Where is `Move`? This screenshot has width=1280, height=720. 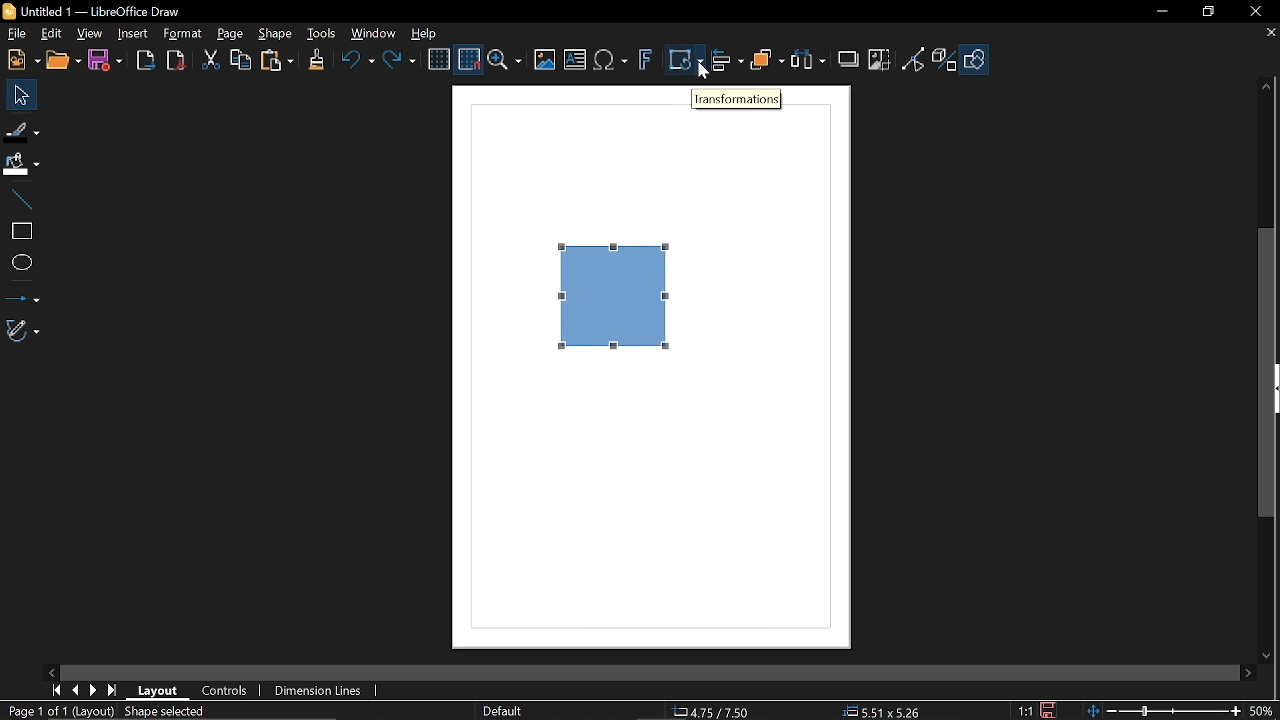 Move is located at coordinates (20, 94).